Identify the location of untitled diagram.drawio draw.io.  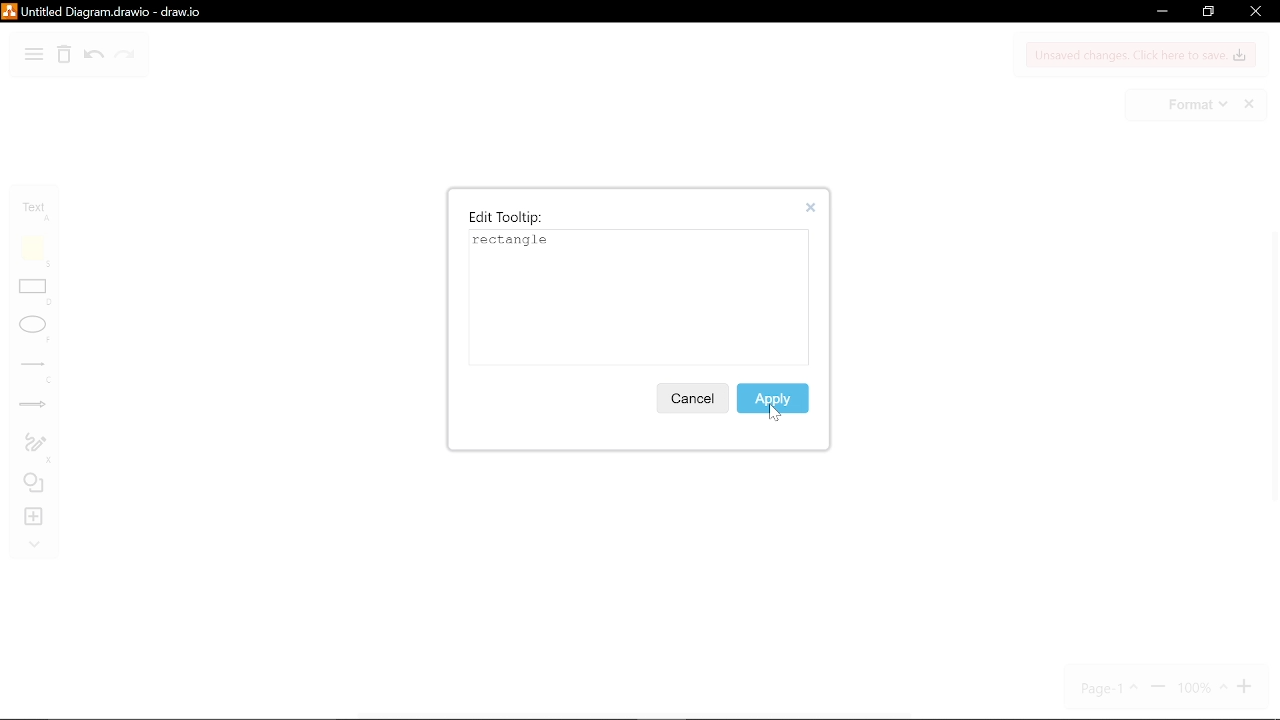
(128, 11).